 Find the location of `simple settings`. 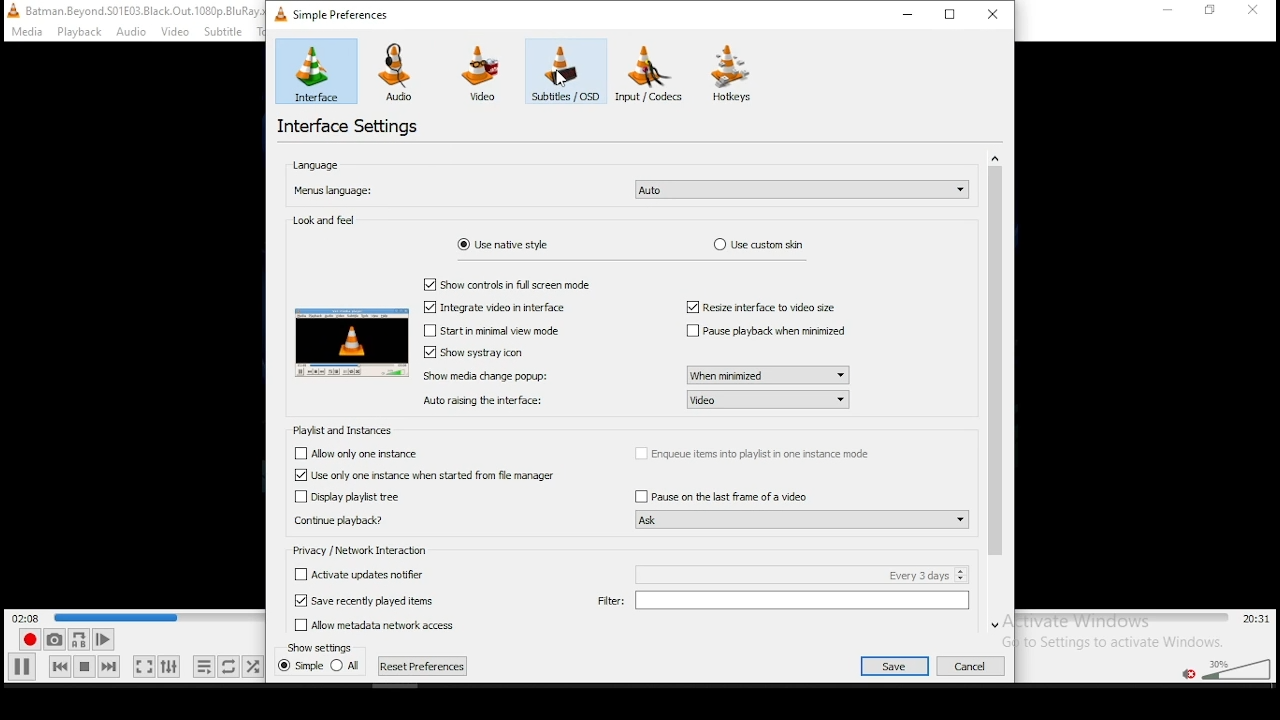

simple settings is located at coordinates (335, 13).